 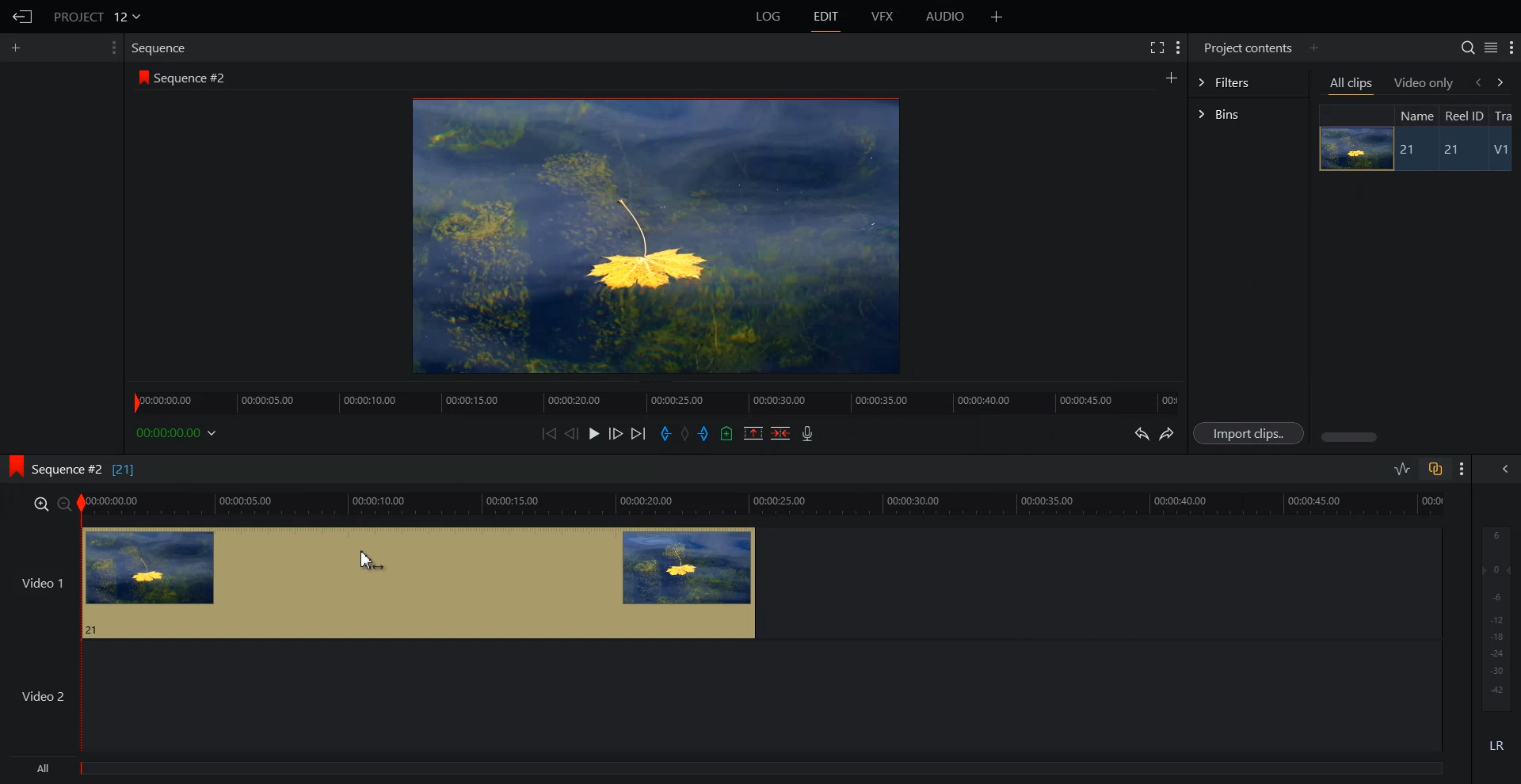 What do you see at coordinates (11, 464) in the screenshot?
I see `logo` at bounding box center [11, 464].